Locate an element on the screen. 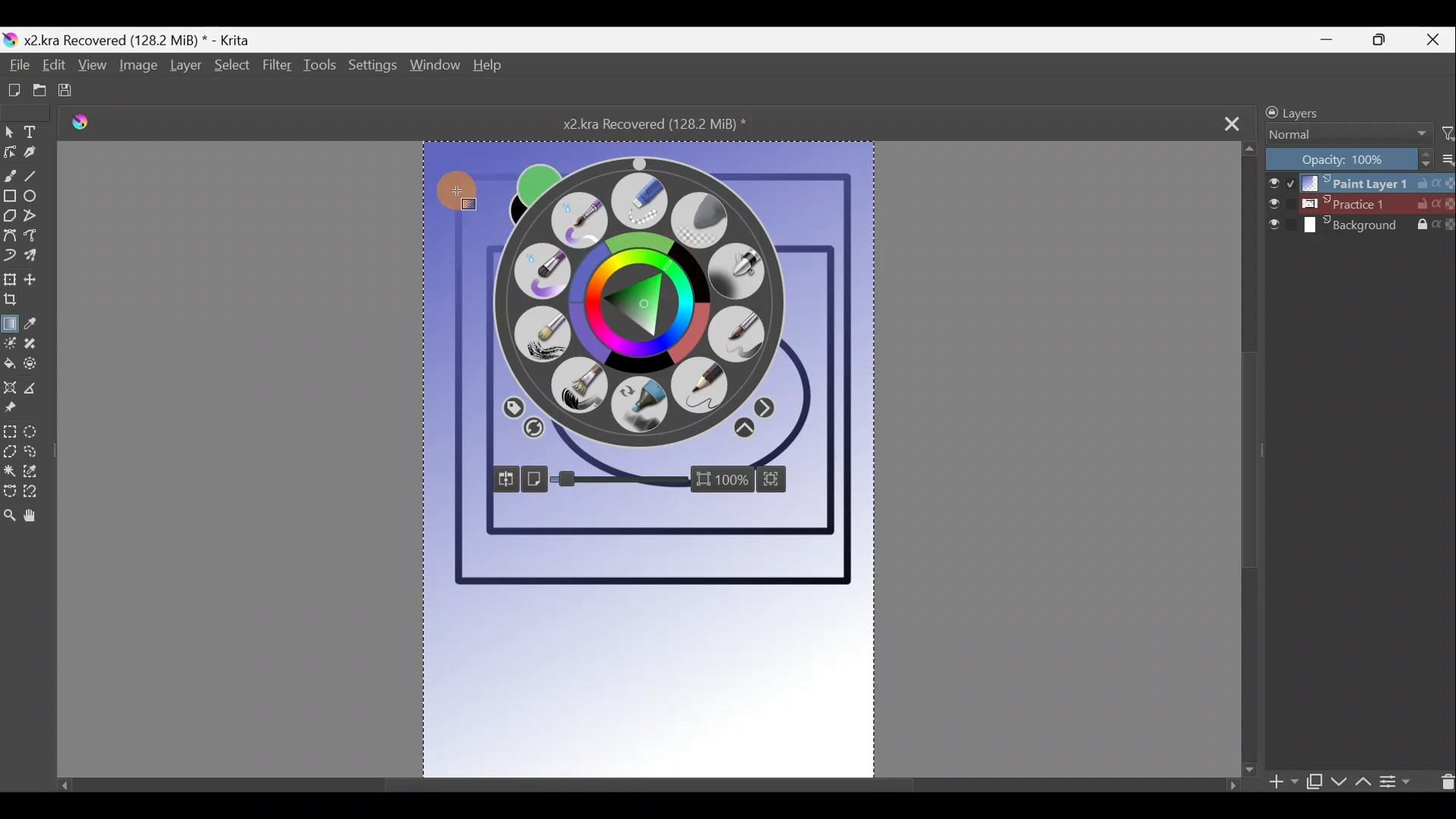 This screenshot has height=819, width=1456. Cursor is located at coordinates (645, 275).